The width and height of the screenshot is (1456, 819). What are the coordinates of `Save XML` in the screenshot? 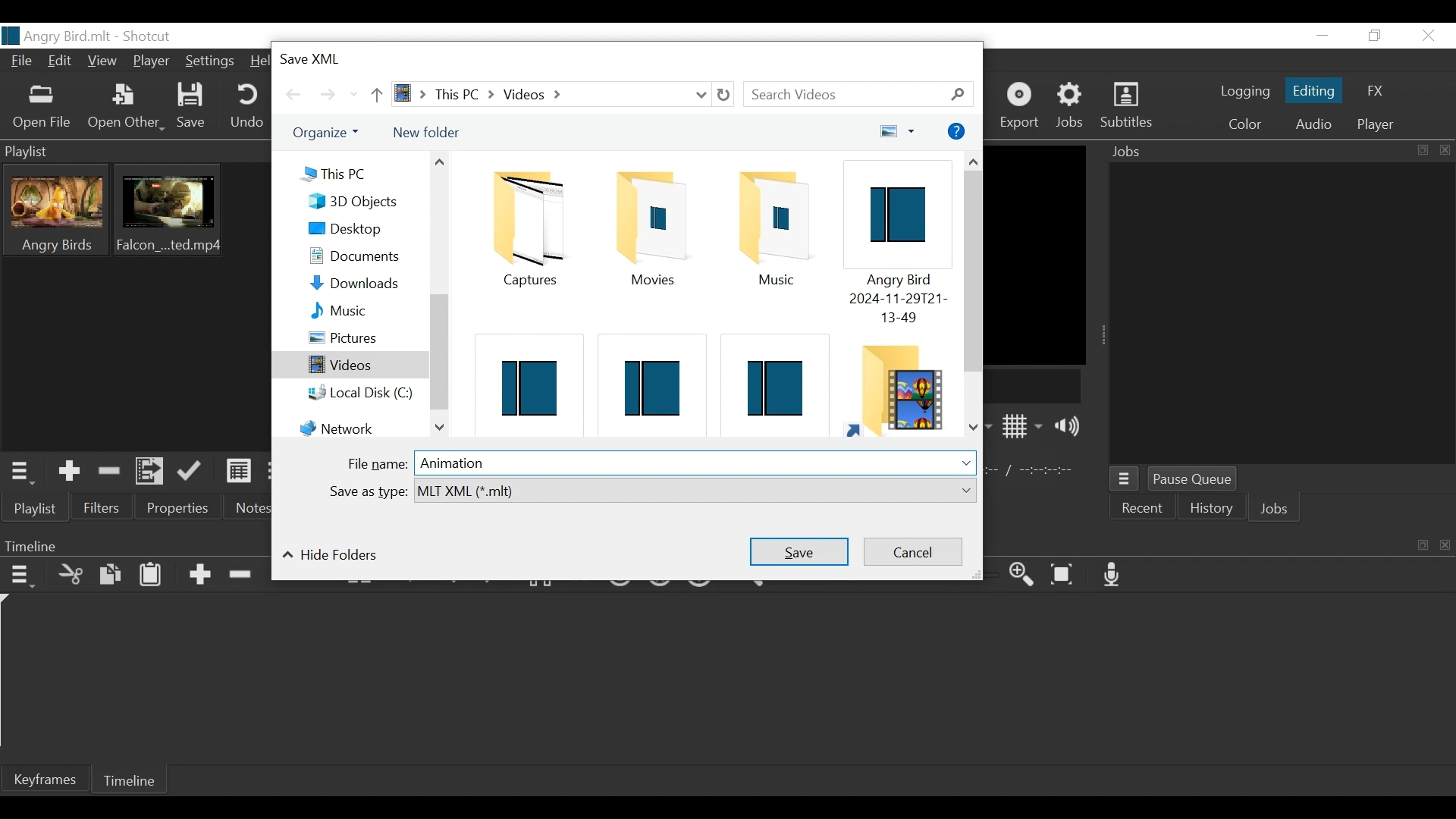 It's located at (325, 56).